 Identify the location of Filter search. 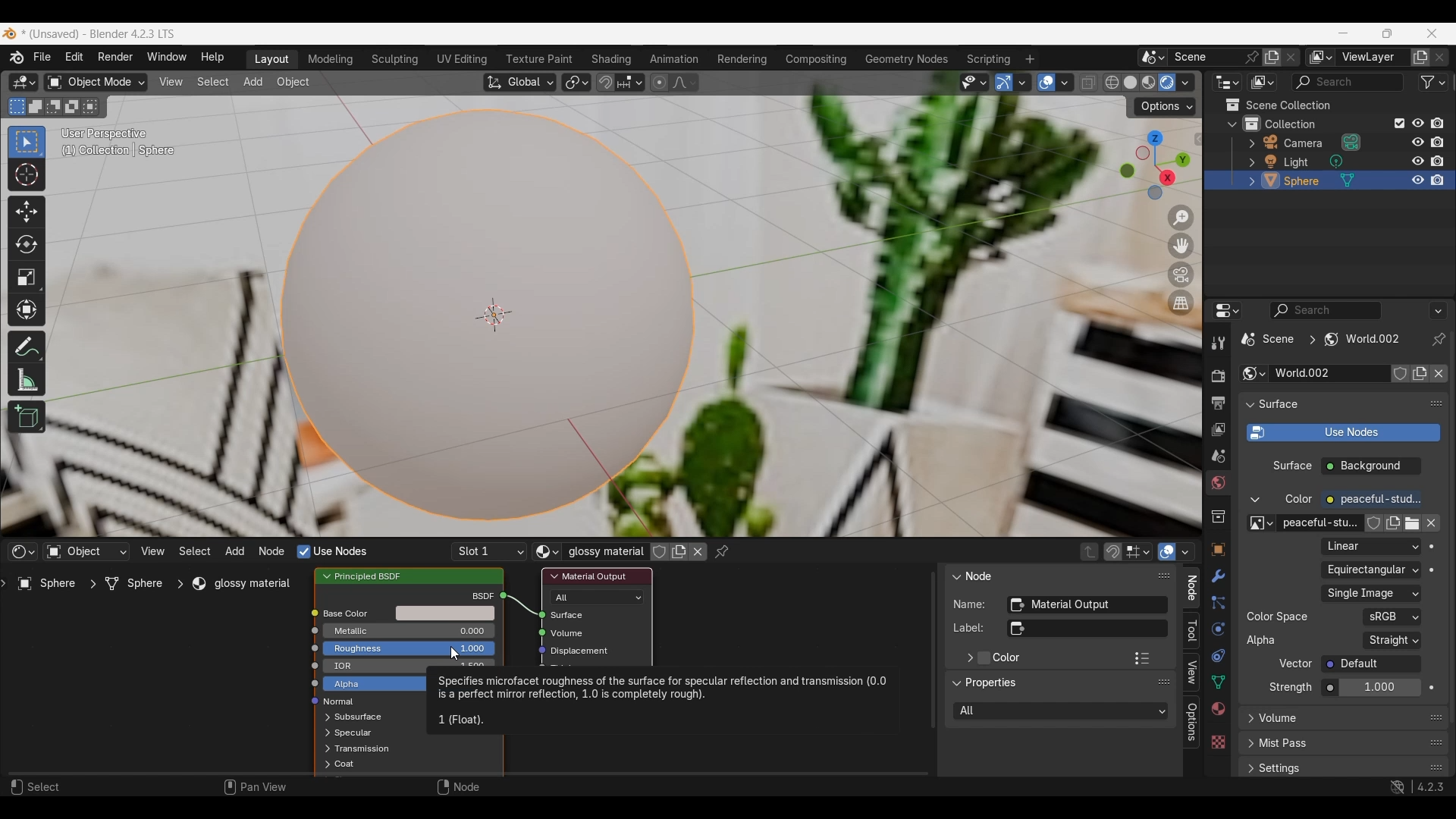
(1348, 83).